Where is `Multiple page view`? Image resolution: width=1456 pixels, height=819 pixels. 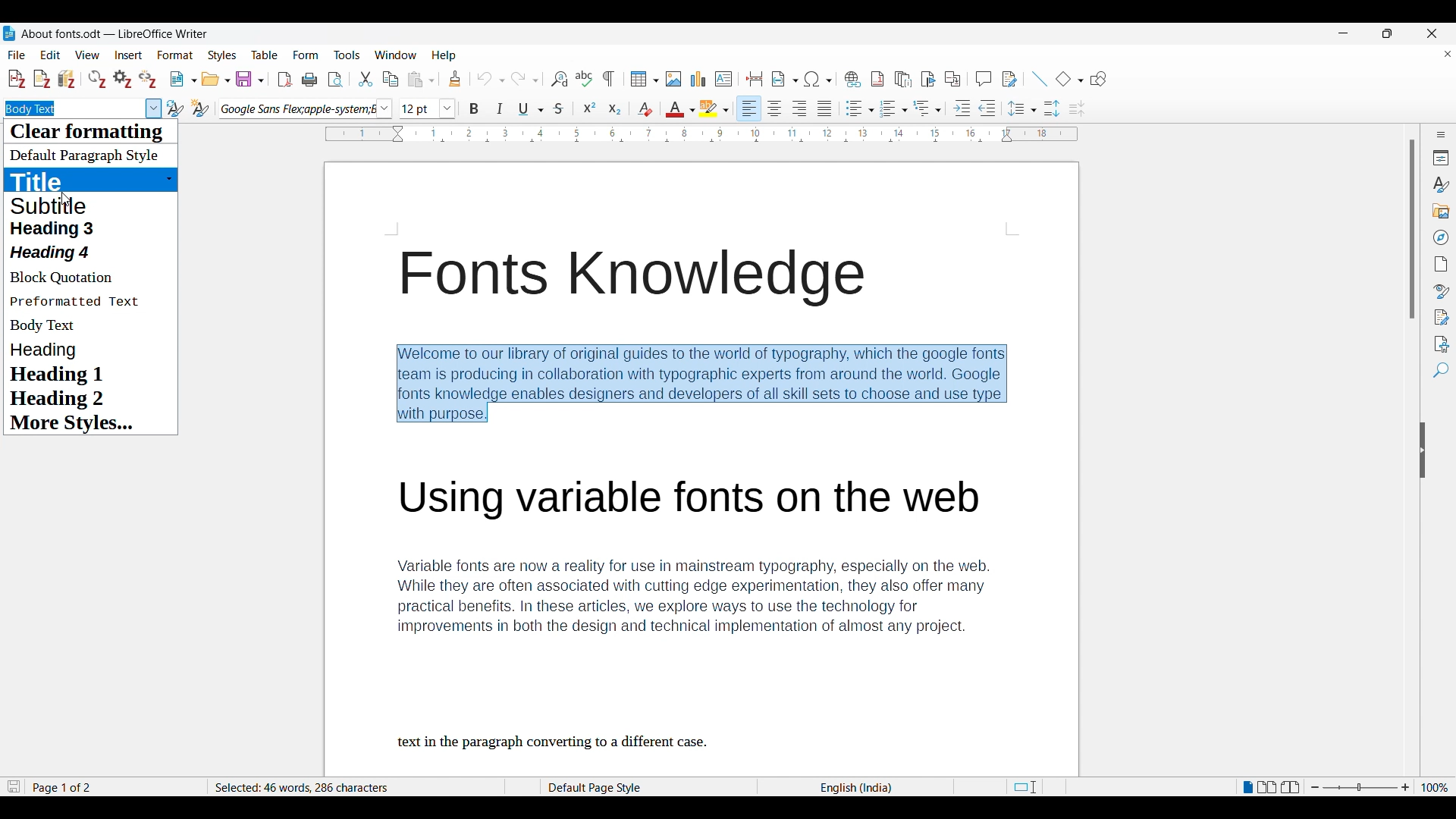 Multiple page view is located at coordinates (1268, 787).